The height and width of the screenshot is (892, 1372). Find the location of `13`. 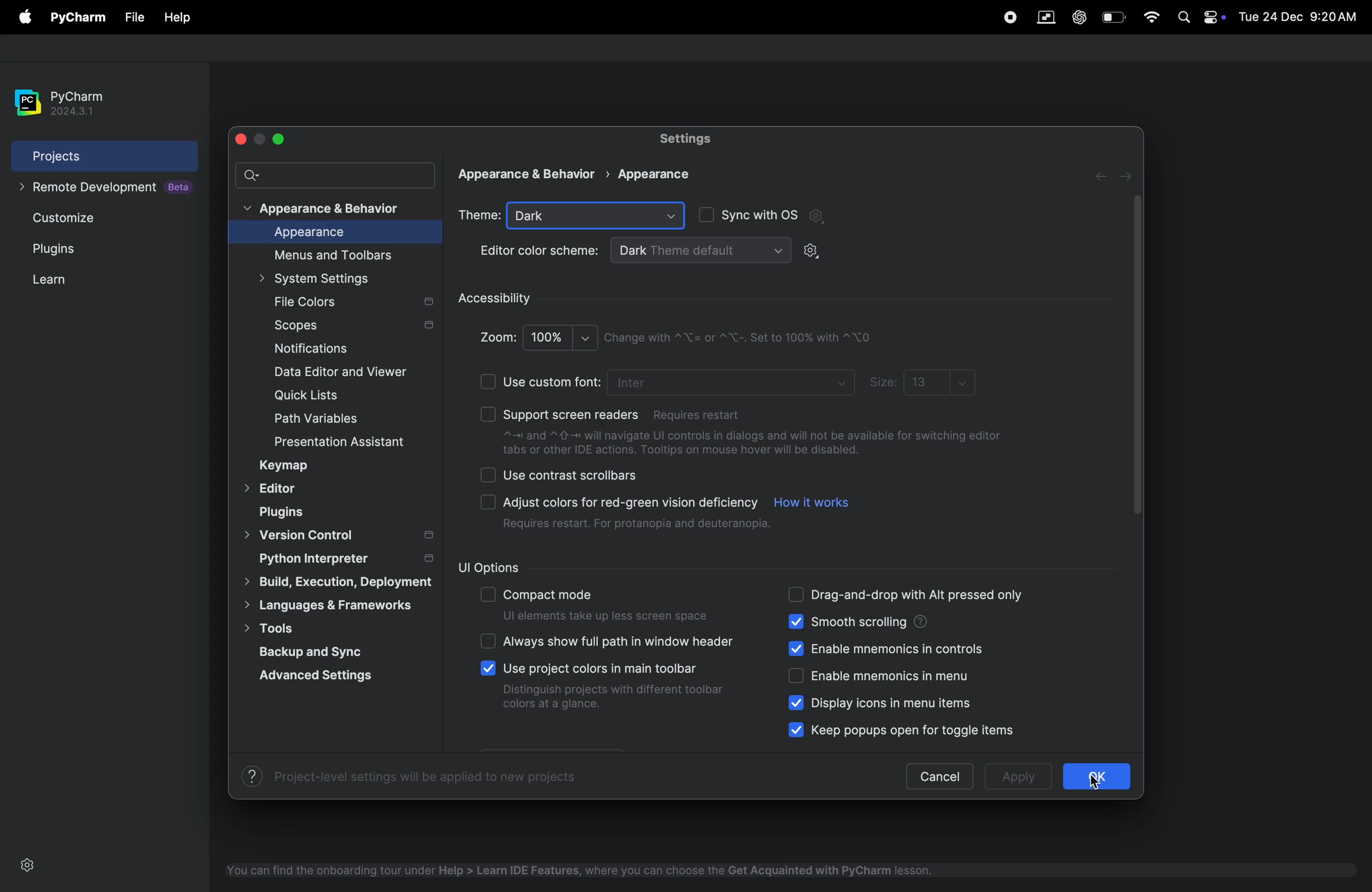

13 is located at coordinates (939, 381).